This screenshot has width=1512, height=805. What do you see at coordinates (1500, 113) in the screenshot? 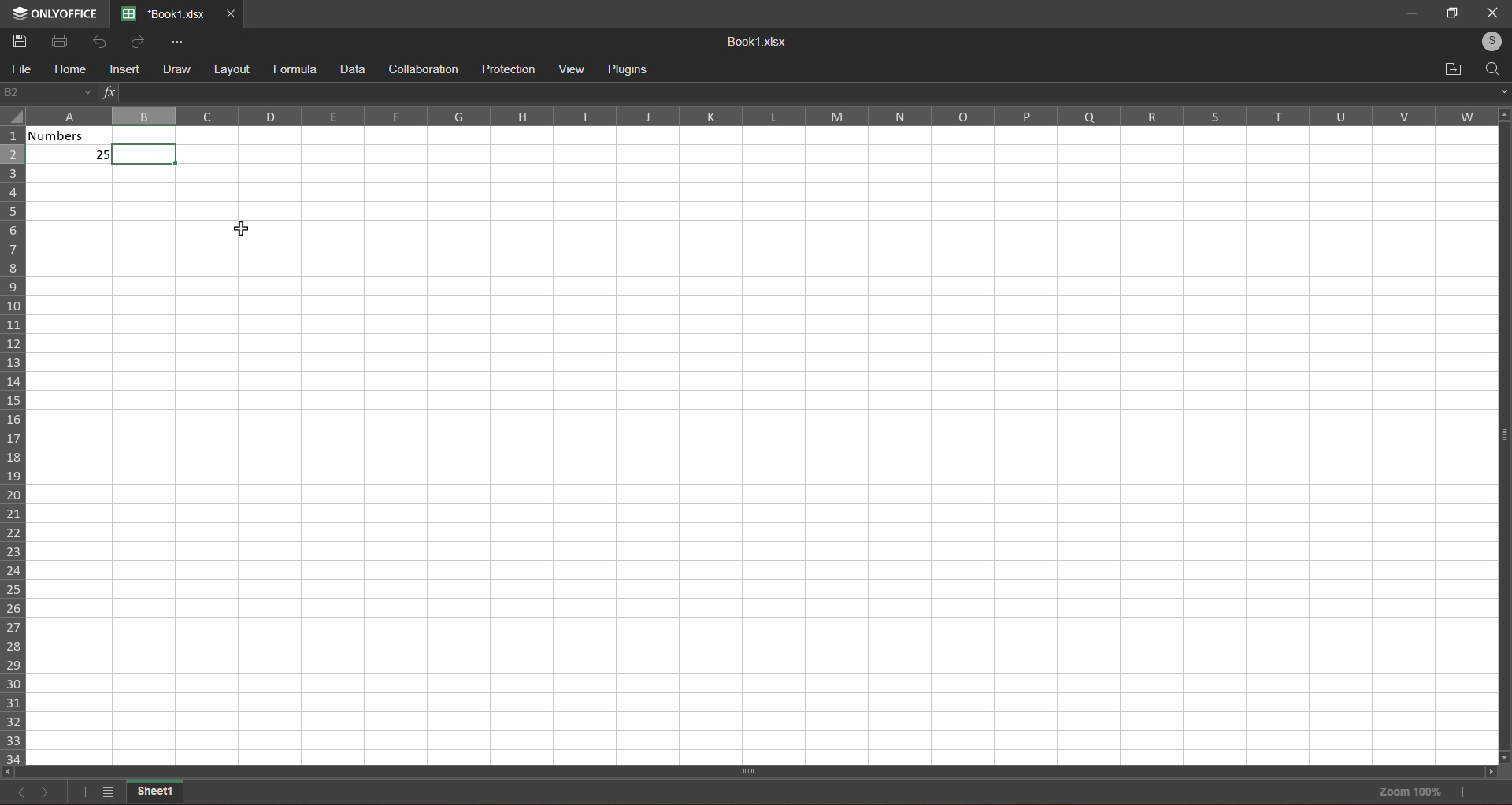
I see `scroll up` at bounding box center [1500, 113].